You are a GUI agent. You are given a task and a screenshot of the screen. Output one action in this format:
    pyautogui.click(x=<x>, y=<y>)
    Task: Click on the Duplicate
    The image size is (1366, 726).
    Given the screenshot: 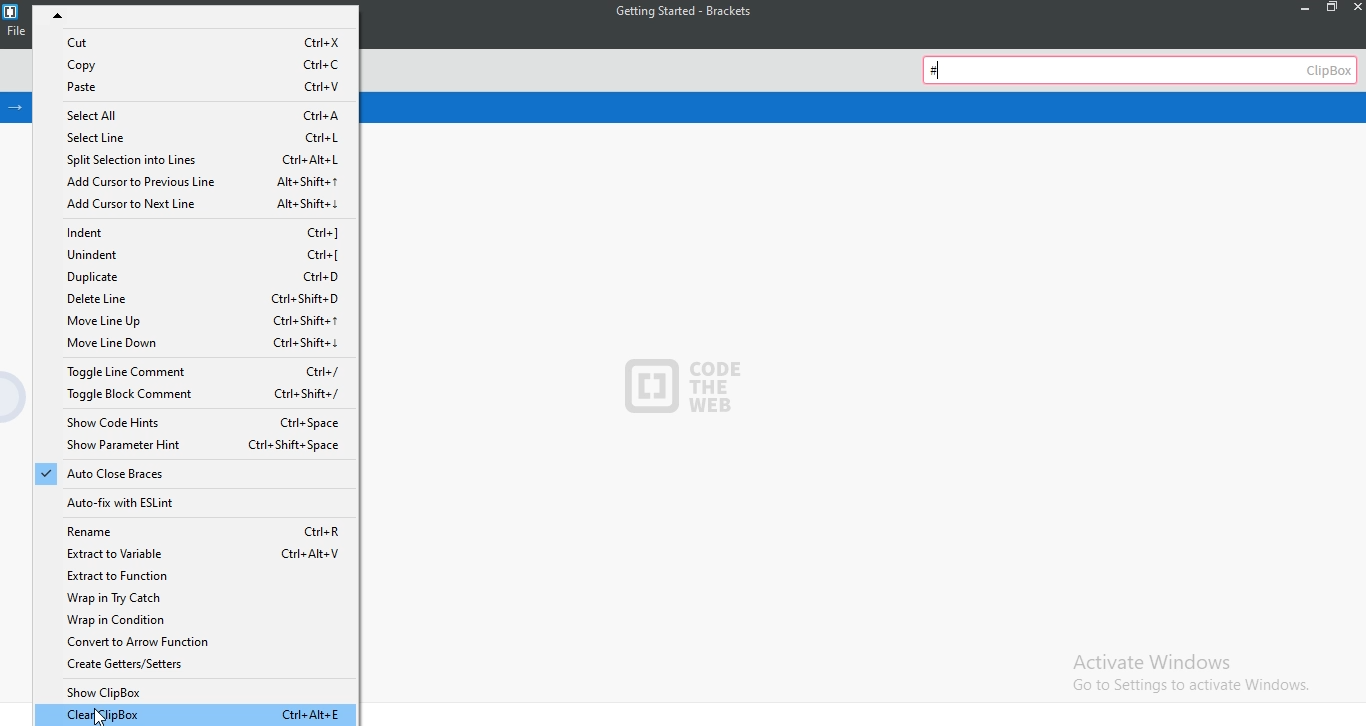 What is the action you would take?
    pyautogui.click(x=201, y=278)
    